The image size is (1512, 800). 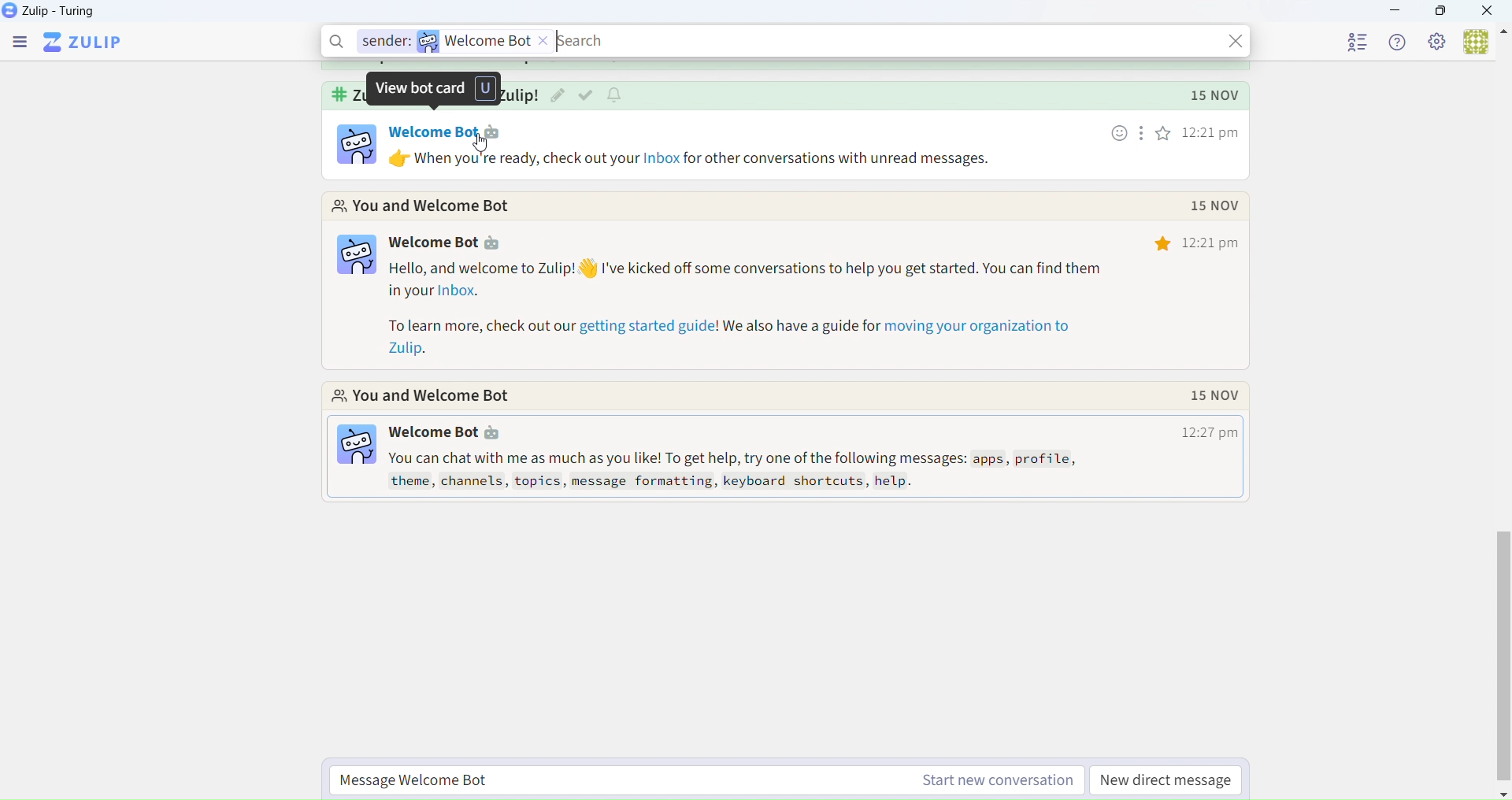 What do you see at coordinates (617, 96) in the screenshot?
I see `notification` at bounding box center [617, 96].